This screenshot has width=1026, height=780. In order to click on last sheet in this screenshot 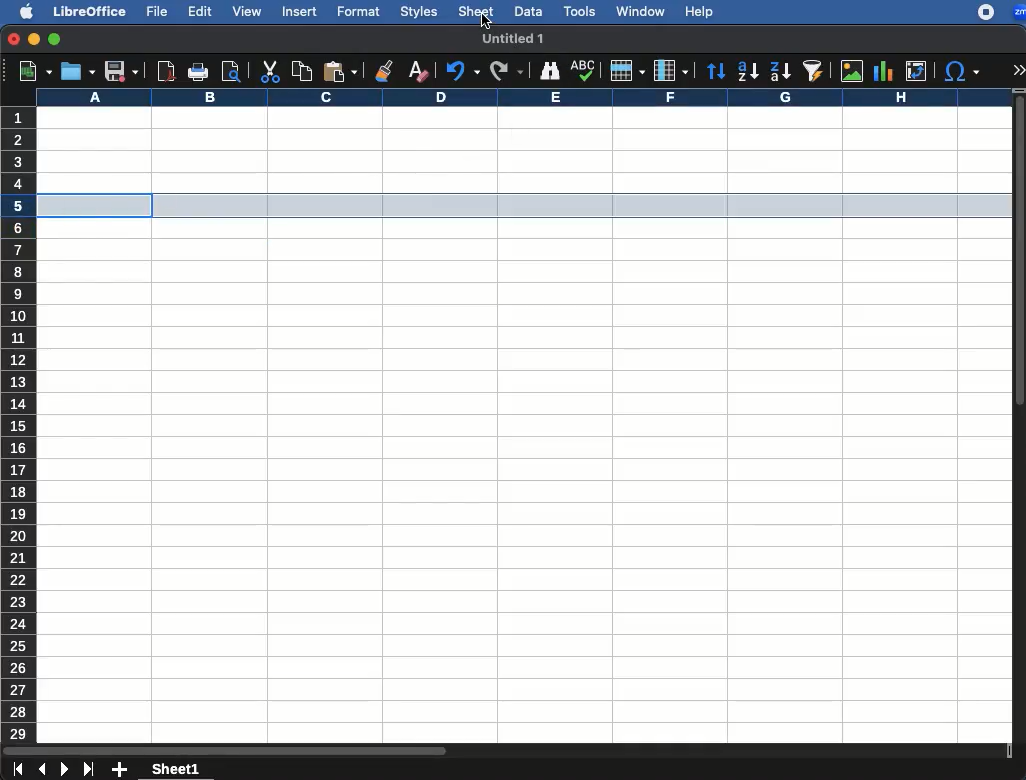, I will do `click(88, 771)`.